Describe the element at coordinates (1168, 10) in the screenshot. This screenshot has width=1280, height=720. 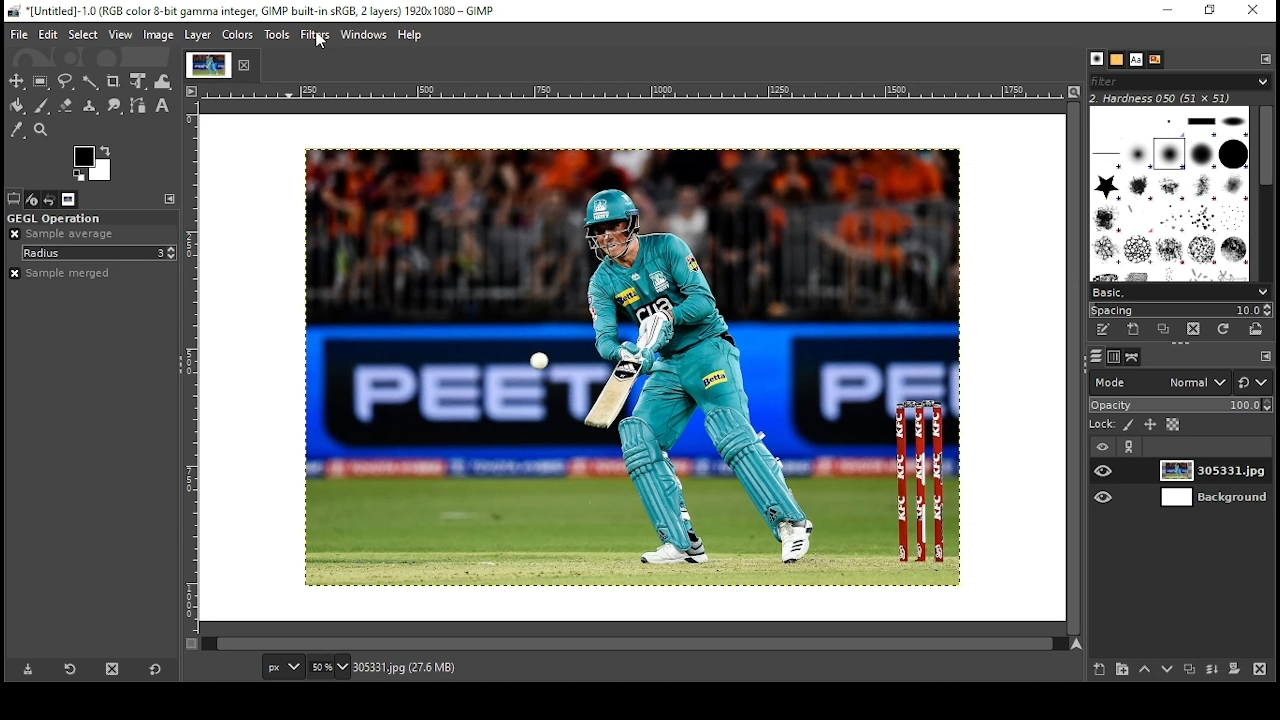
I see `minimize` at that location.